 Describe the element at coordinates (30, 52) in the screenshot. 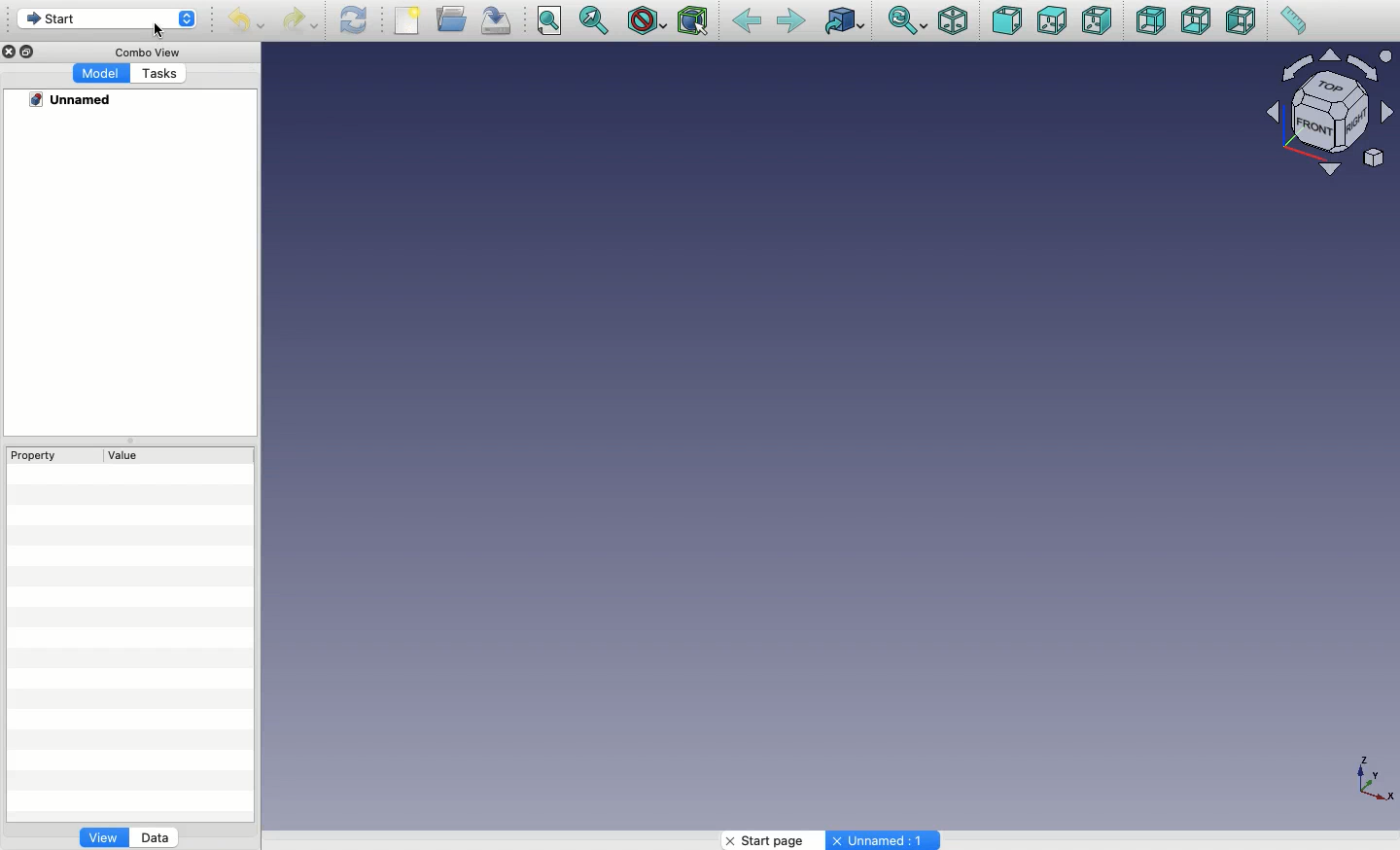

I see `Duplicate` at that location.